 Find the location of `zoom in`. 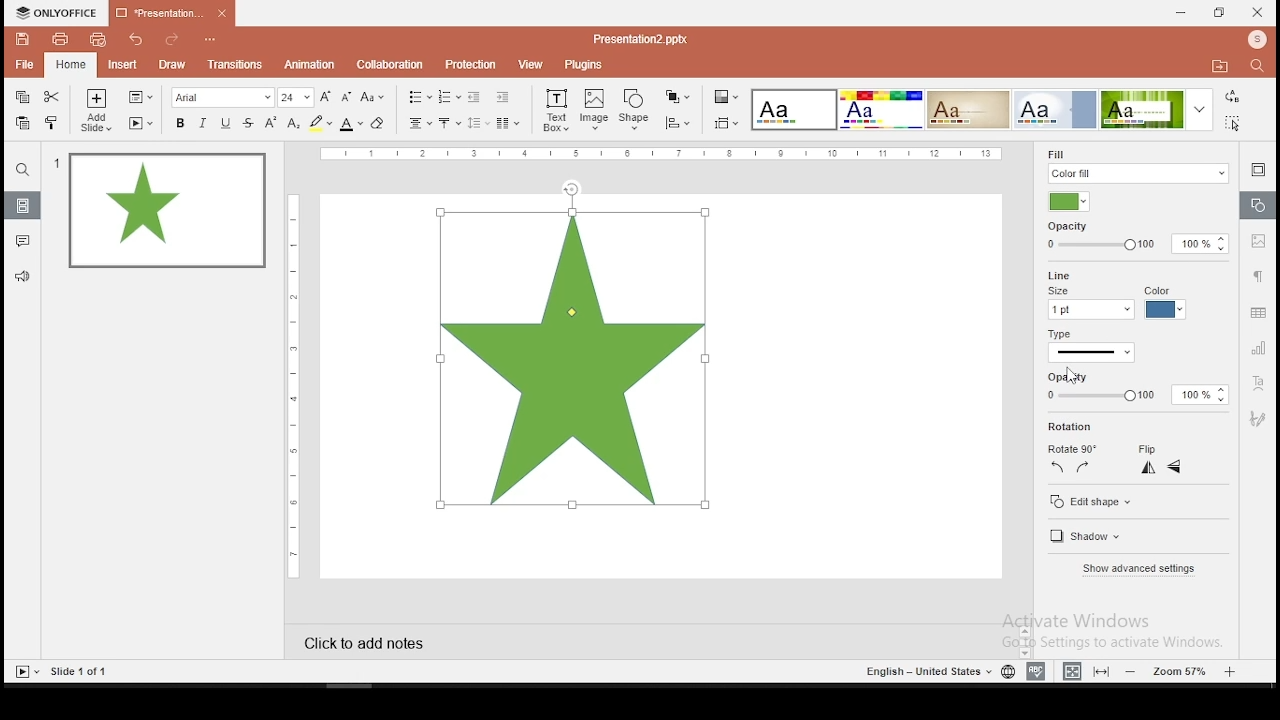

zoom in is located at coordinates (1230, 669).